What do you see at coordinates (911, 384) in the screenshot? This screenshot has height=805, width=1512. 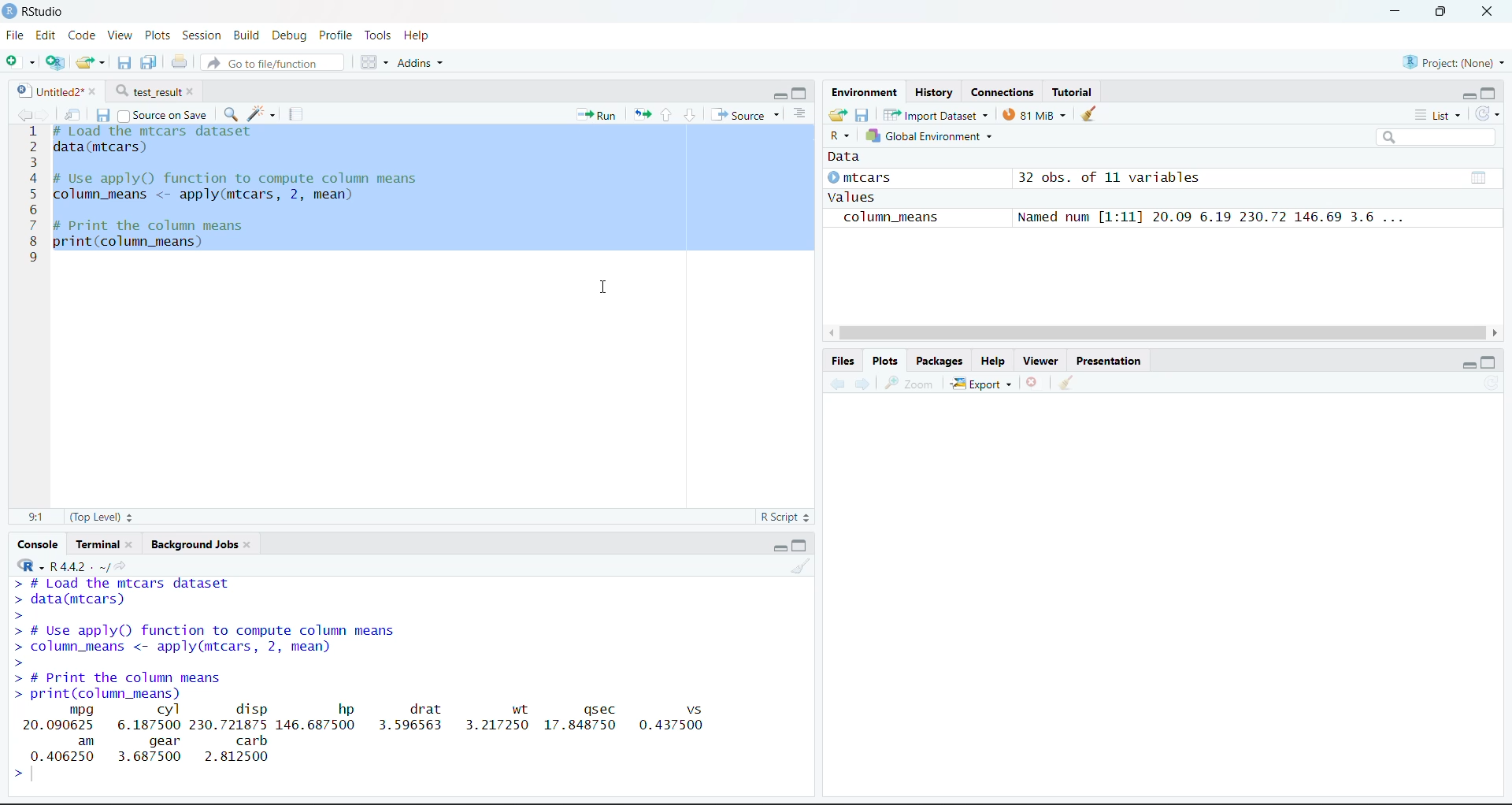 I see `Zoom` at bounding box center [911, 384].